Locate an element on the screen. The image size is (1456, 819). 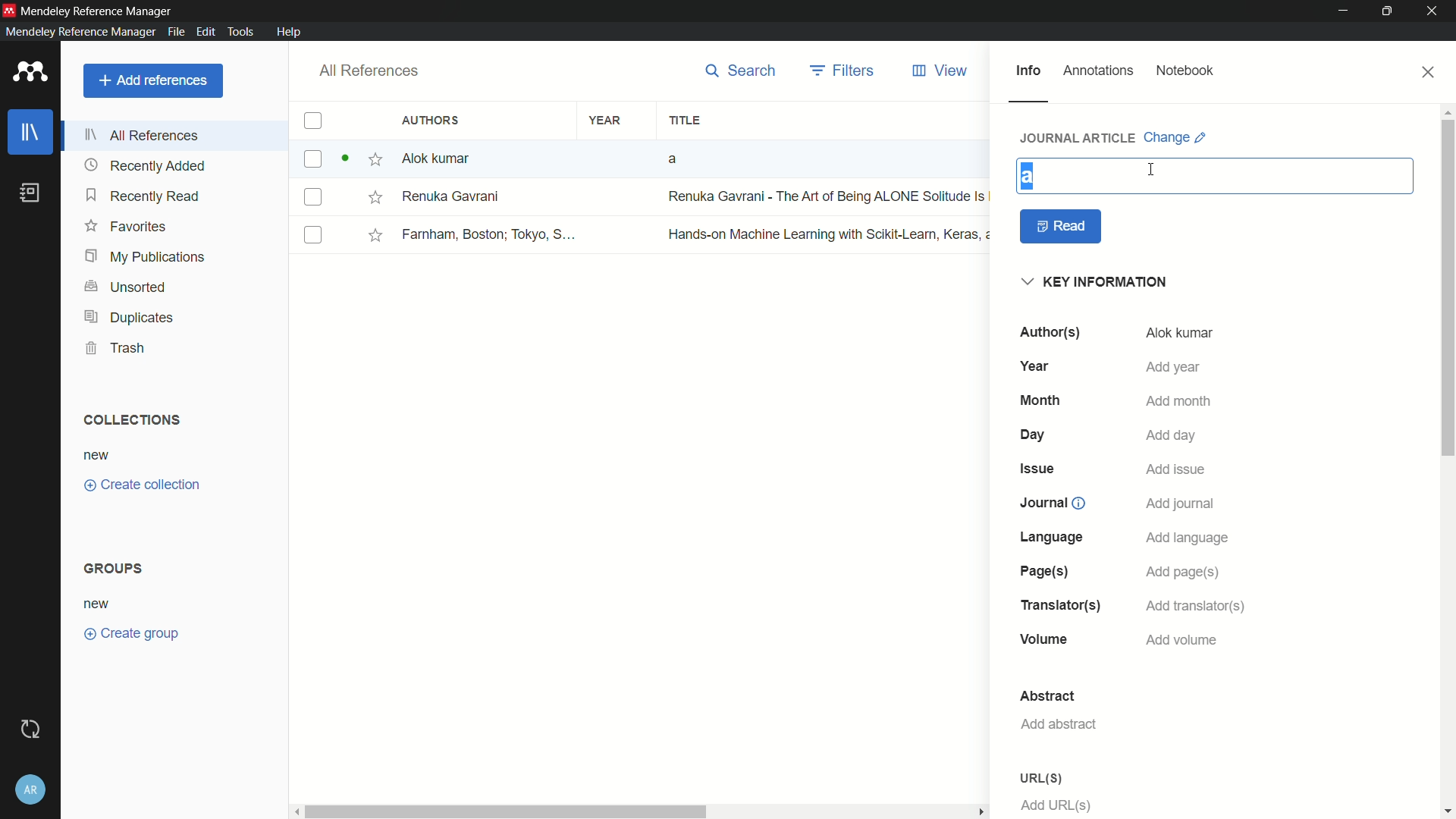
create group is located at coordinates (130, 632).